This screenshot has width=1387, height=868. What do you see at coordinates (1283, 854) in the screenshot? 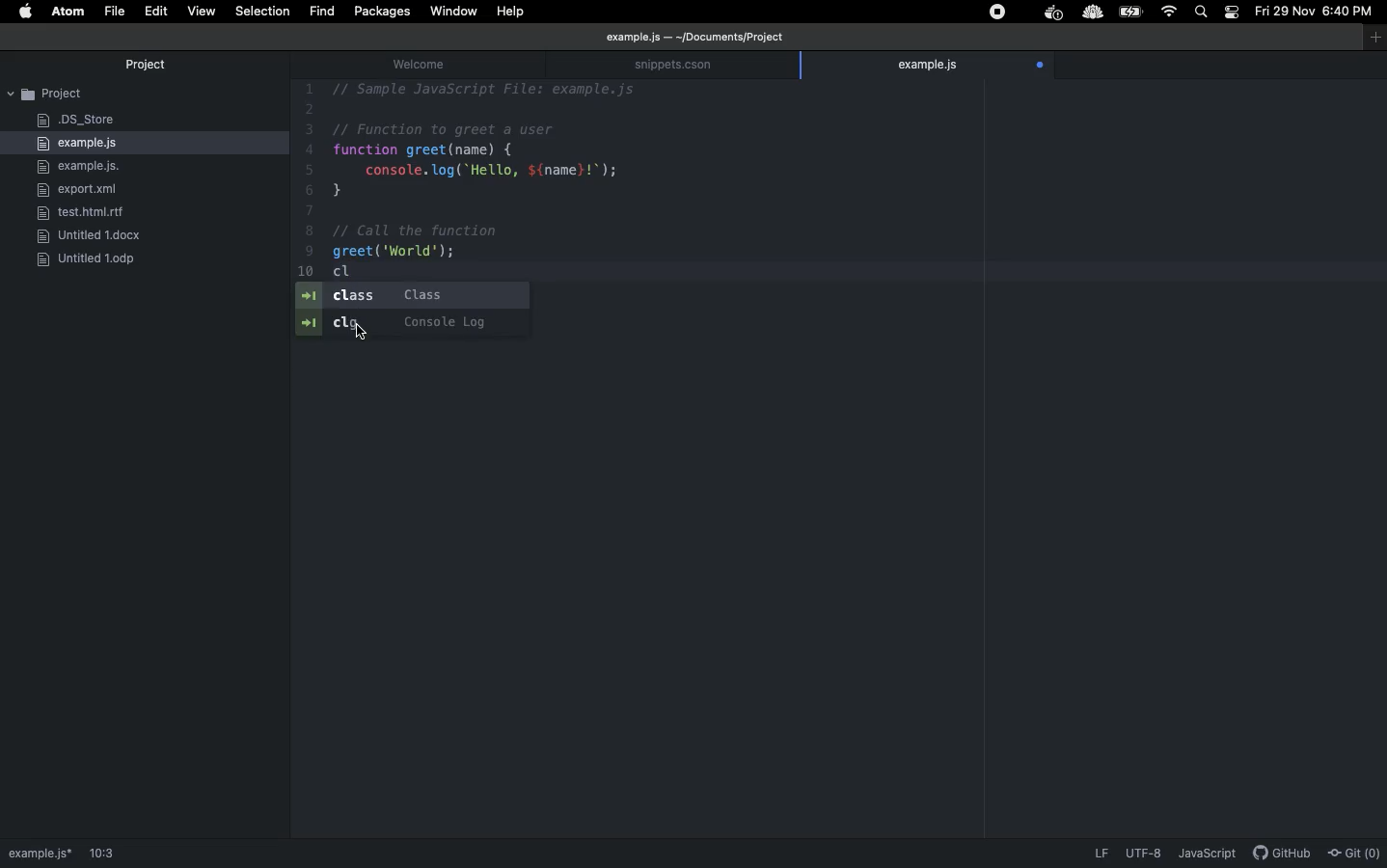
I see `description` at bounding box center [1283, 854].